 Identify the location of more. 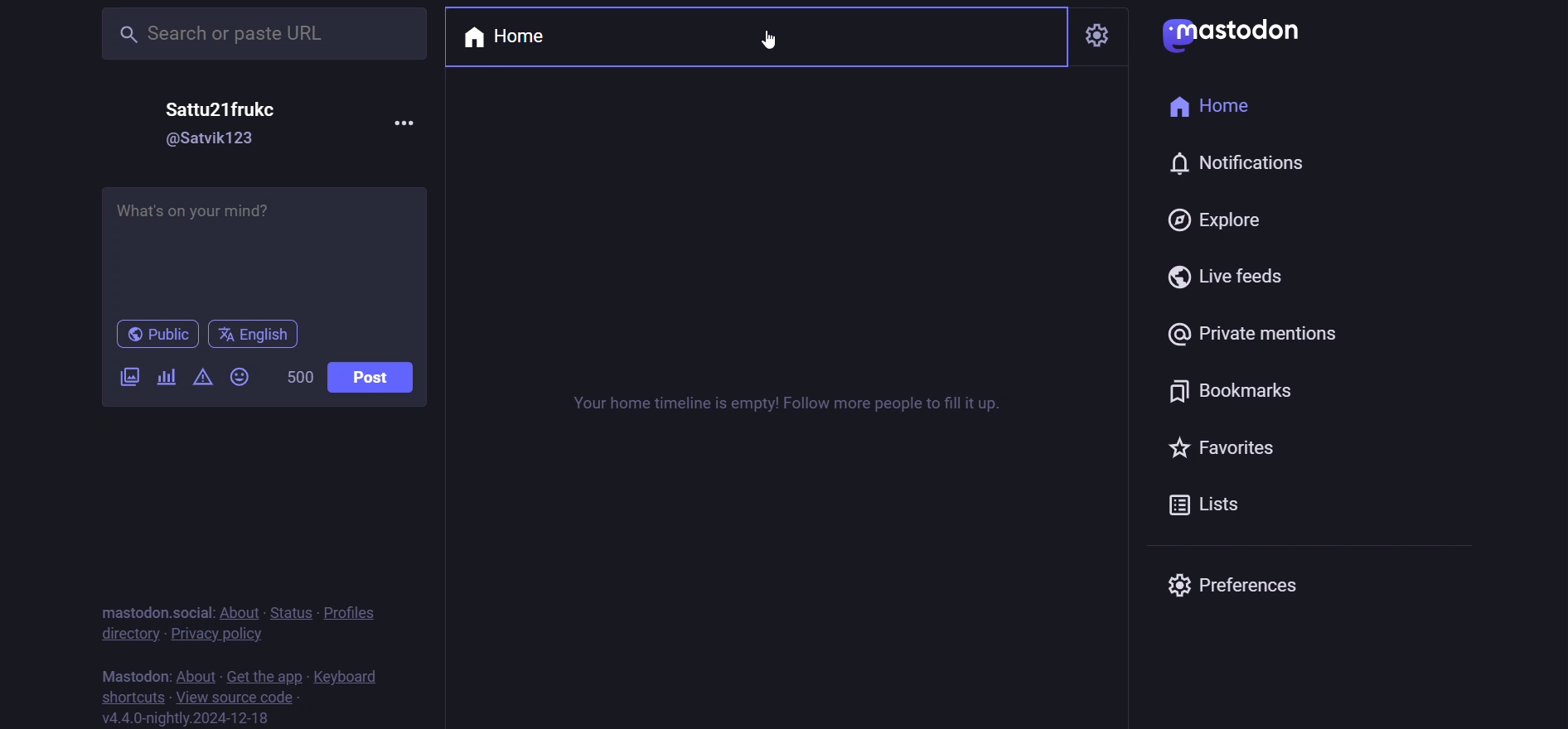
(404, 123).